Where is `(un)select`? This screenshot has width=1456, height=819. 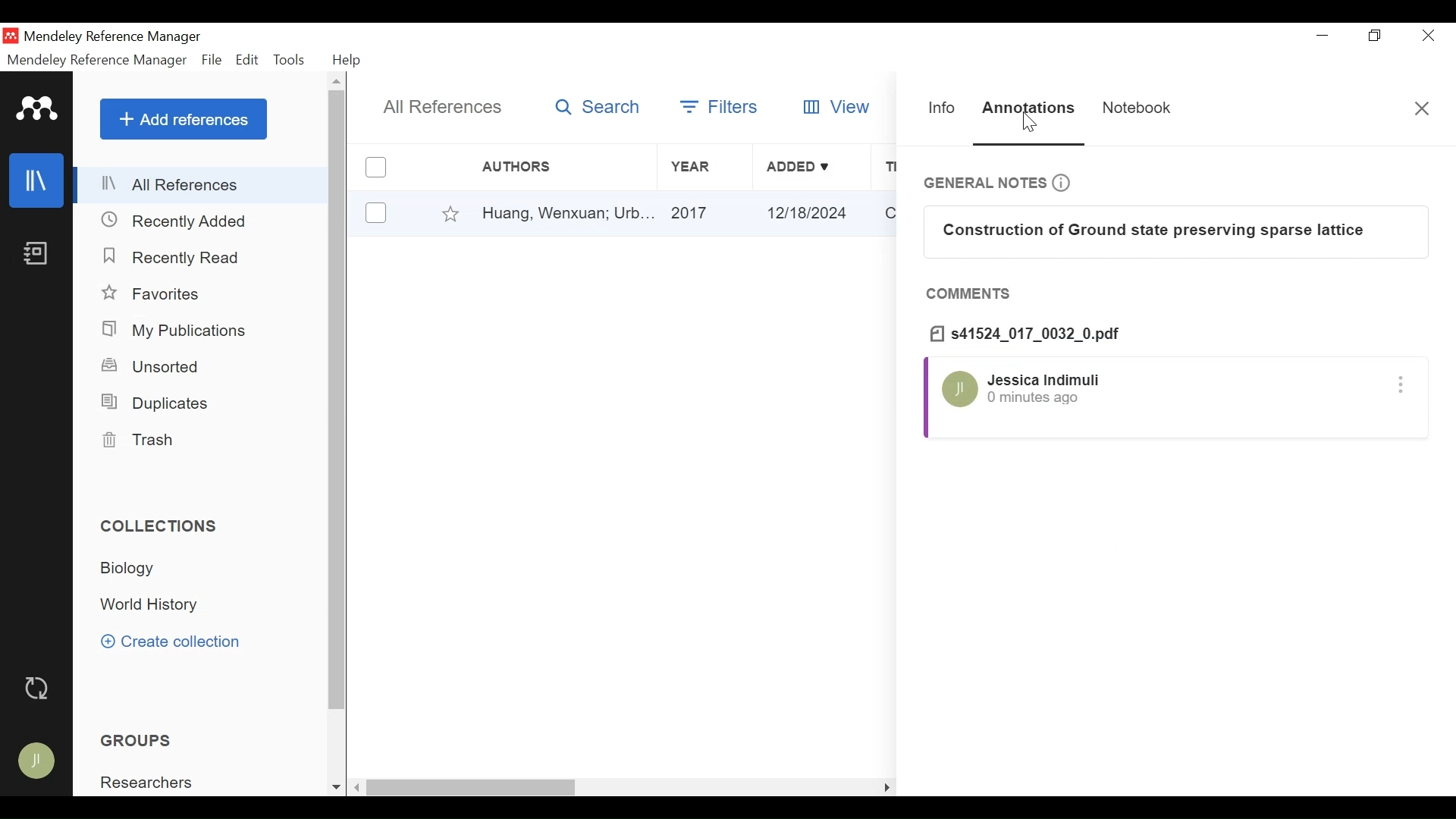
(un)select is located at coordinates (376, 213).